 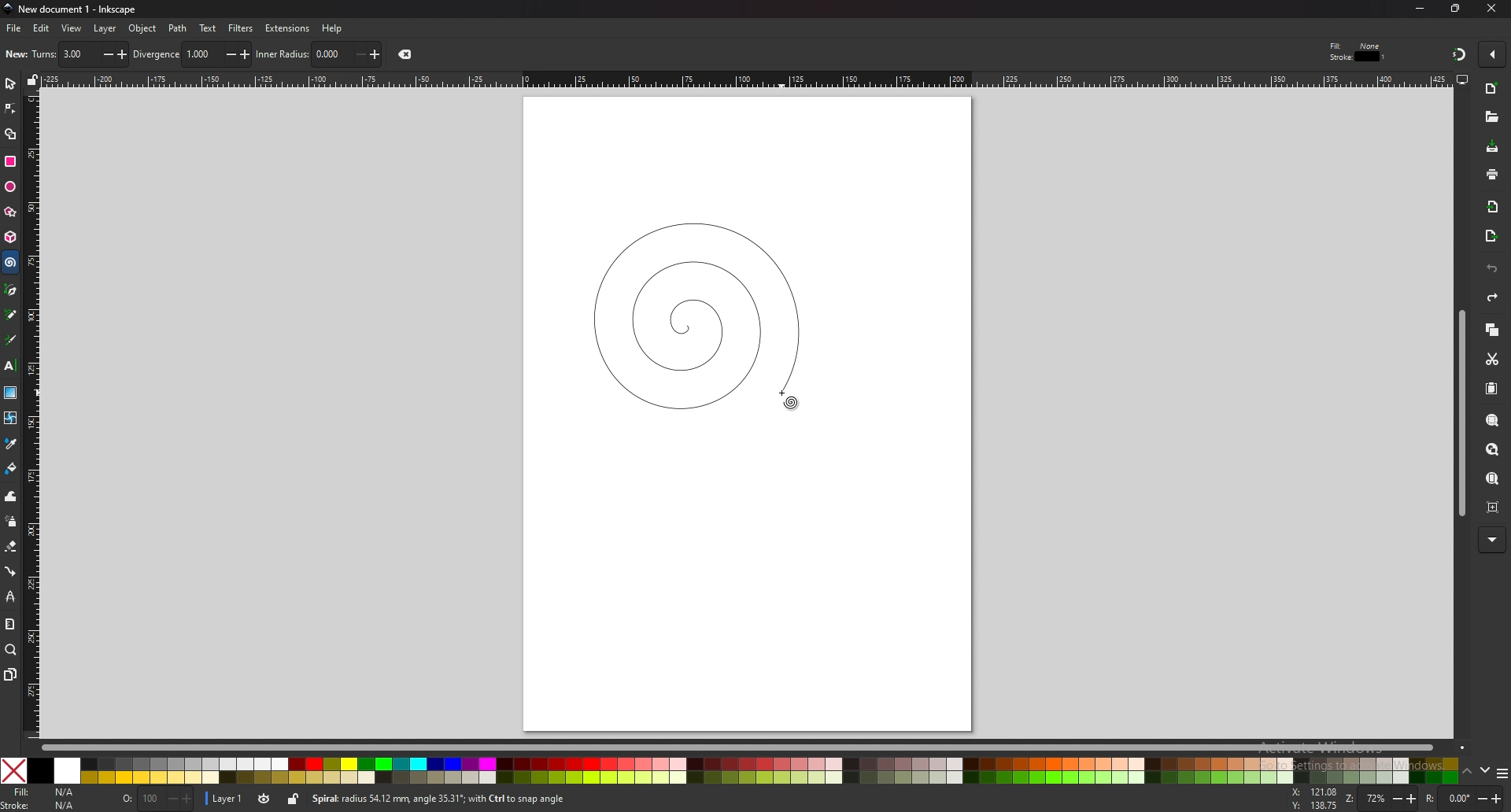 I want to click on measure, so click(x=10, y=624).